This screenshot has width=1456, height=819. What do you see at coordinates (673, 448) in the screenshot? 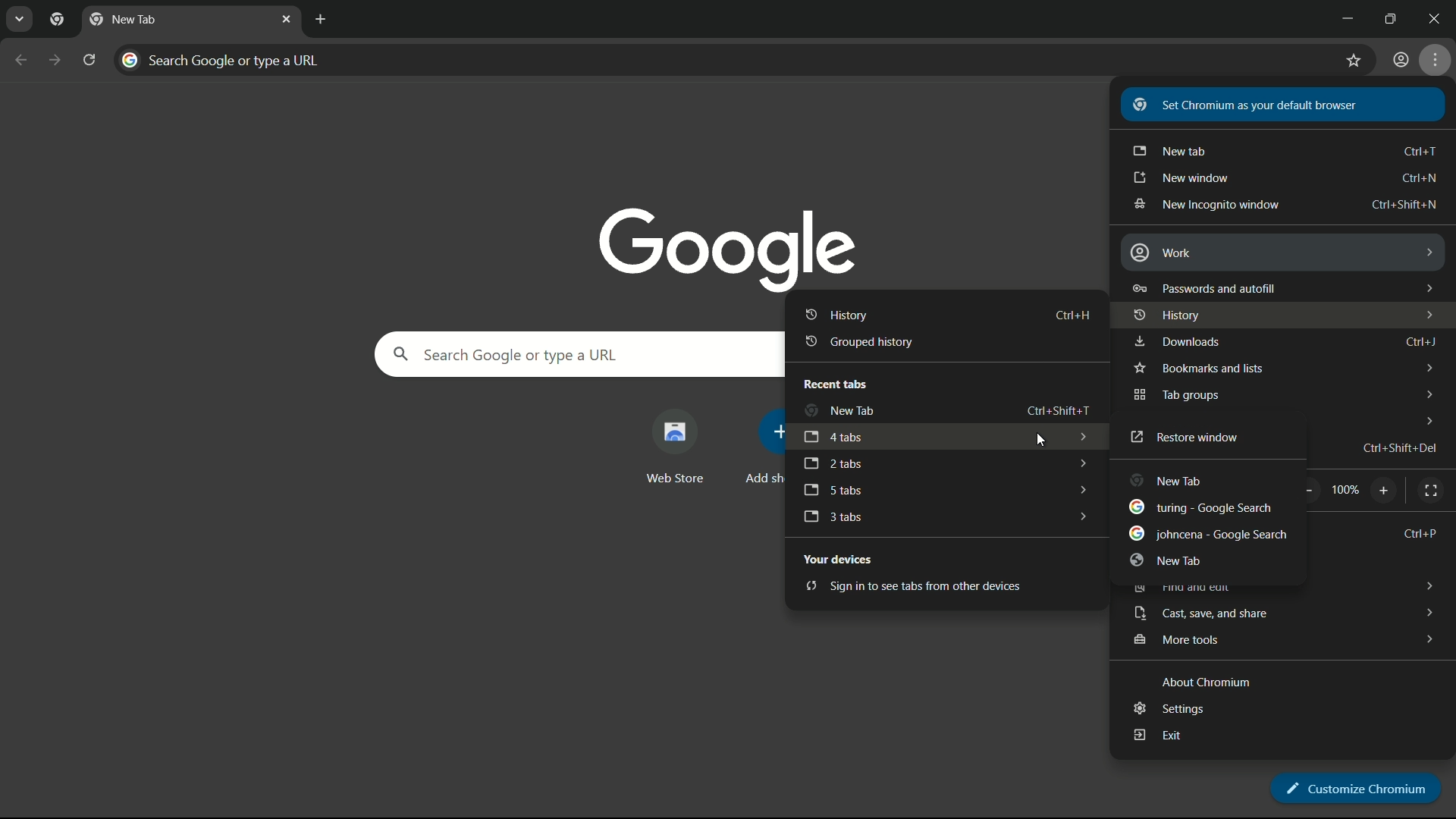
I see `web store shortcut` at bounding box center [673, 448].